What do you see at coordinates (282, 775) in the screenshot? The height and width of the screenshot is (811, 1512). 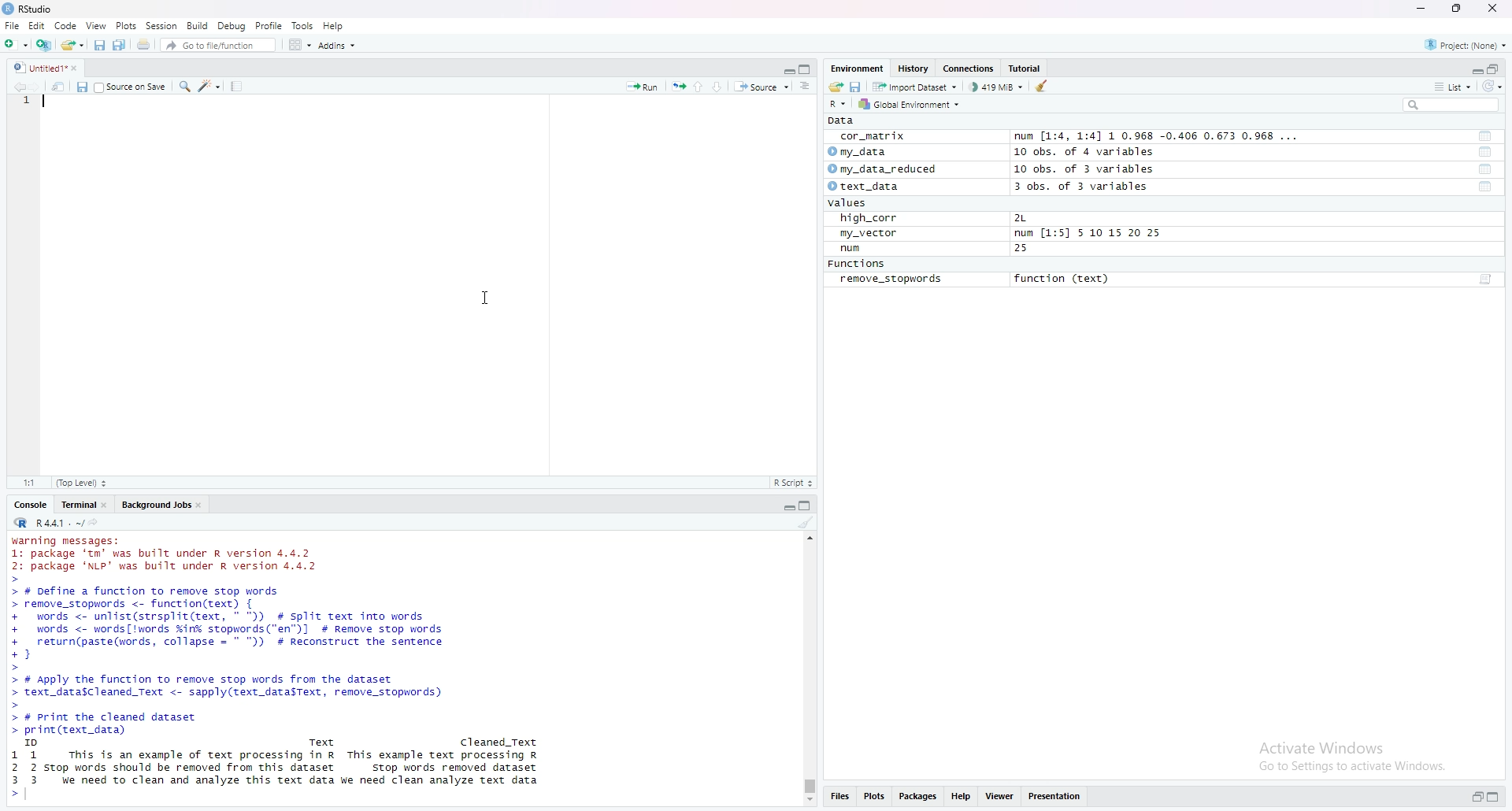 I see `1 1 This is an example of text processing in R This example text processing R
2 2 stop words should be removed from this dataset Stop words removed dataset
3 3 we need to clean and analyze this text data We need clean analyze text data` at bounding box center [282, 775].